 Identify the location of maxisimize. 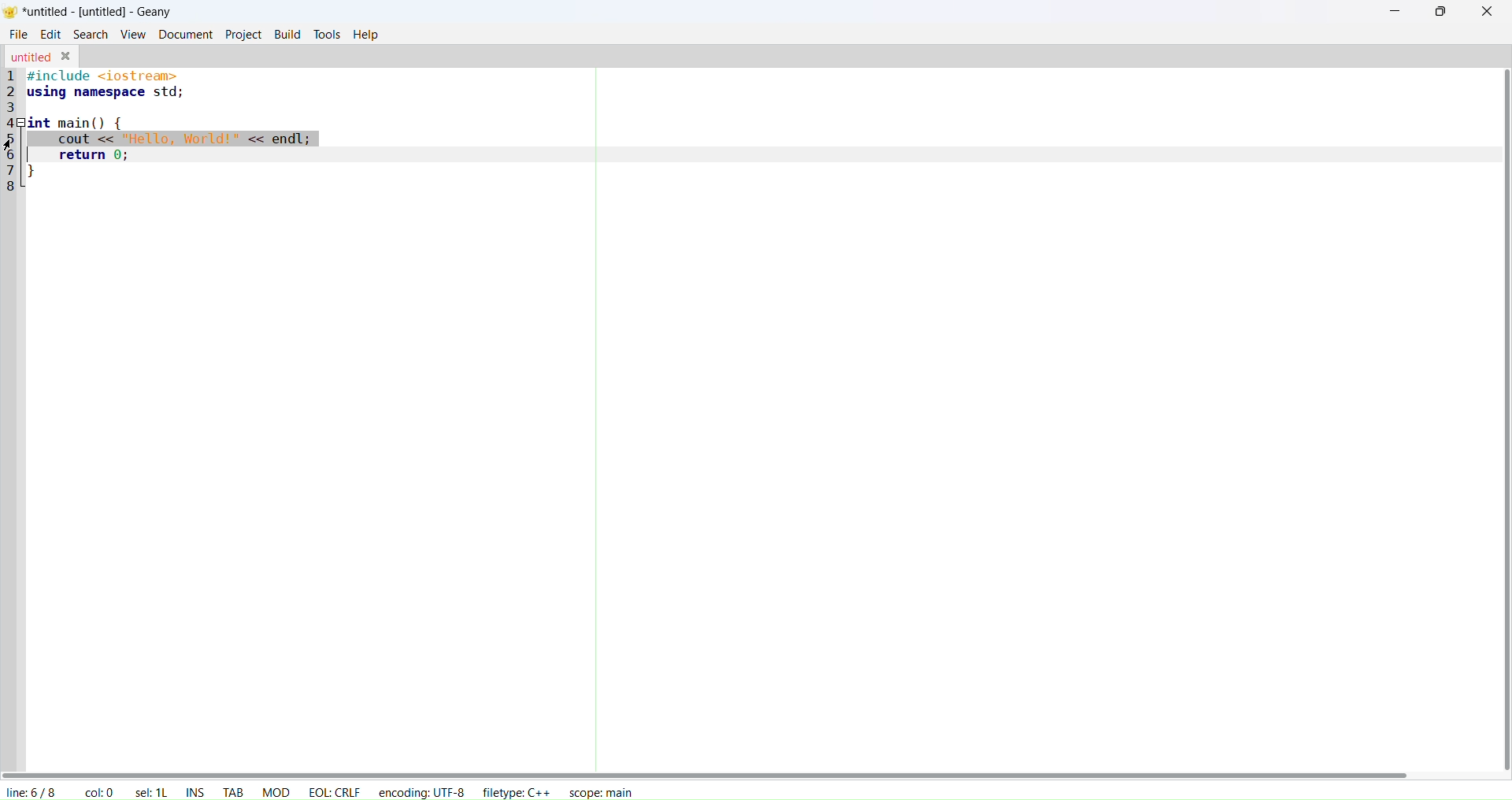
(1441, 10).